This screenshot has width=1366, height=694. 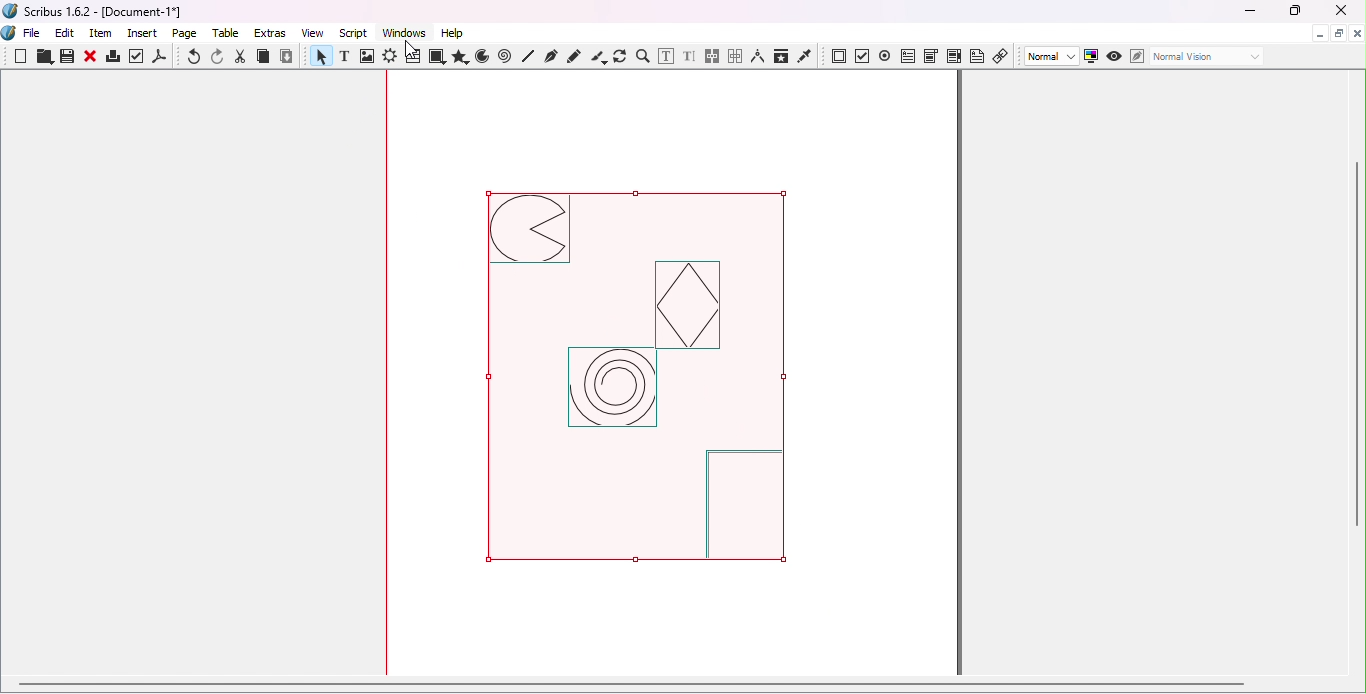 I want to click on Zoom in or out, so click(x=642, y=56).